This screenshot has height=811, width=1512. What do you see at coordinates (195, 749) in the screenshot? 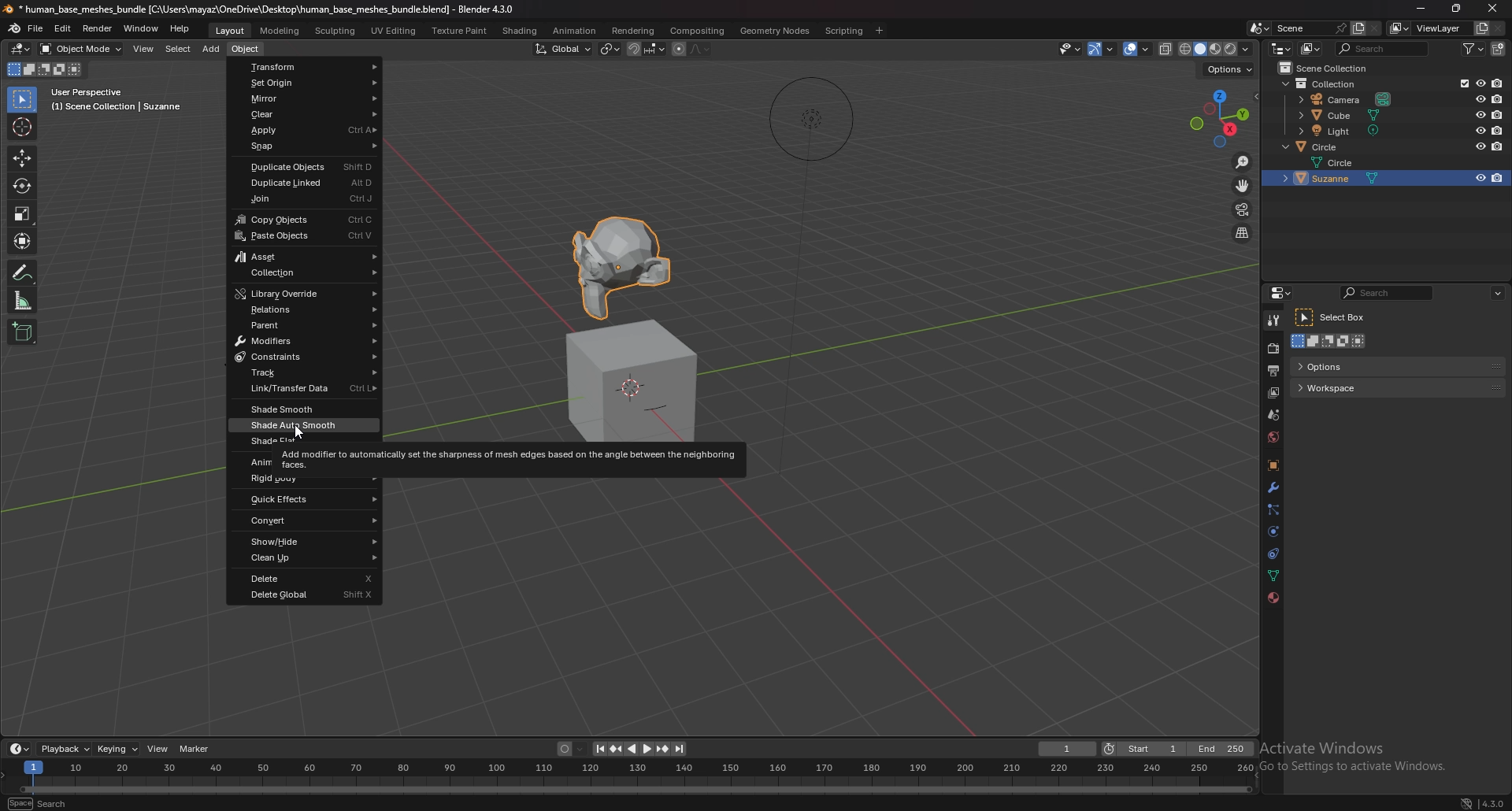
I see `marker` at bounding box center [195, 749].